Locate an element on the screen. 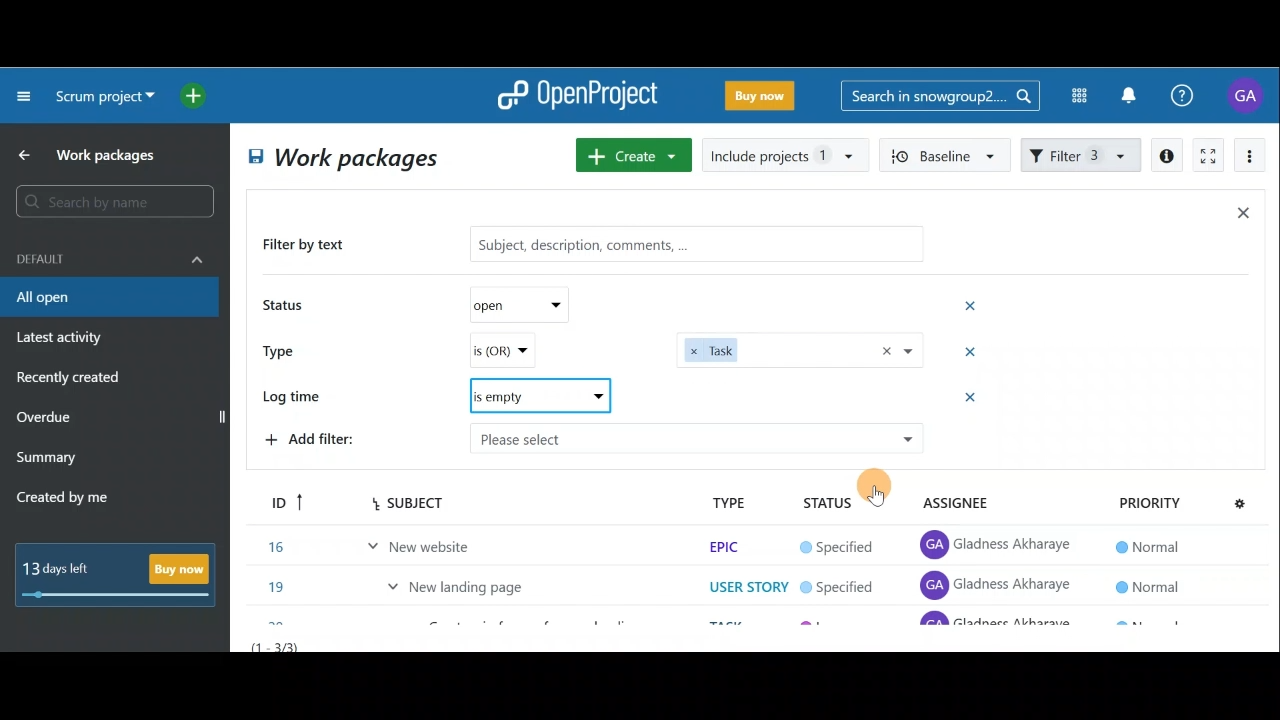  page TASK a(GA) Gladness Akharaye is located at coordinates (998, 540).